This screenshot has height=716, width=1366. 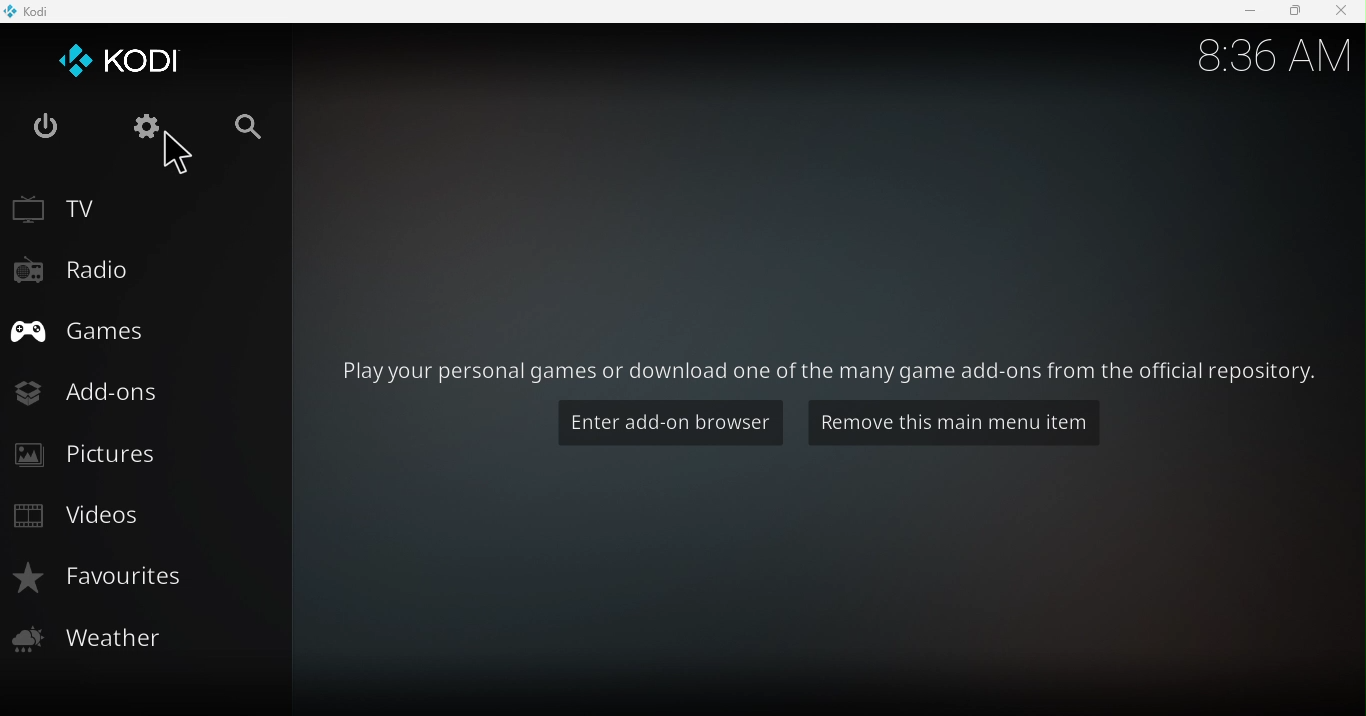 I want to click on Cursor, so click(x=186, y=152).